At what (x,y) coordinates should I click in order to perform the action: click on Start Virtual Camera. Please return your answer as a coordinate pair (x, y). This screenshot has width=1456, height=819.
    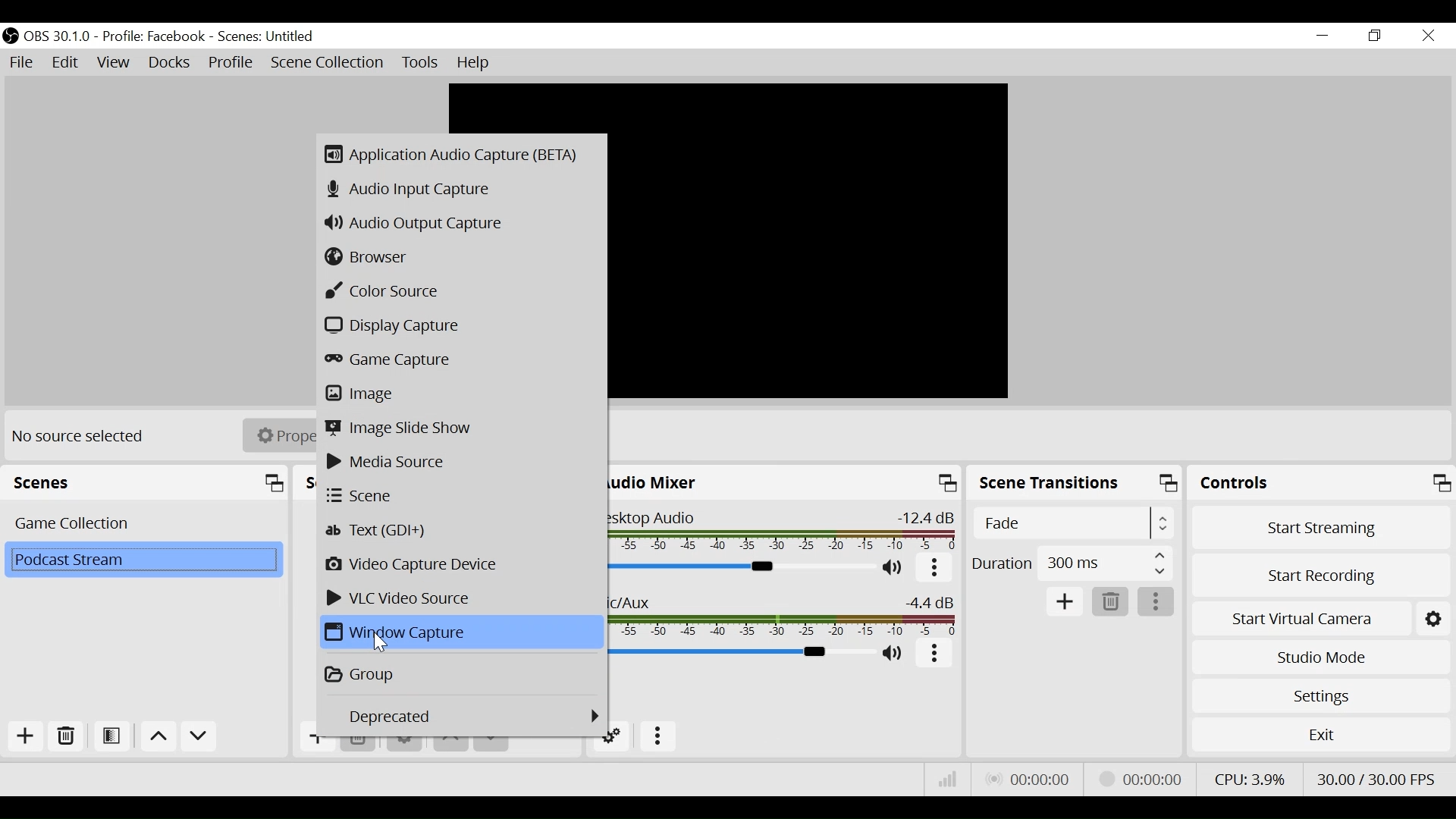
    Looking at the image, I should click on (1318, 618).